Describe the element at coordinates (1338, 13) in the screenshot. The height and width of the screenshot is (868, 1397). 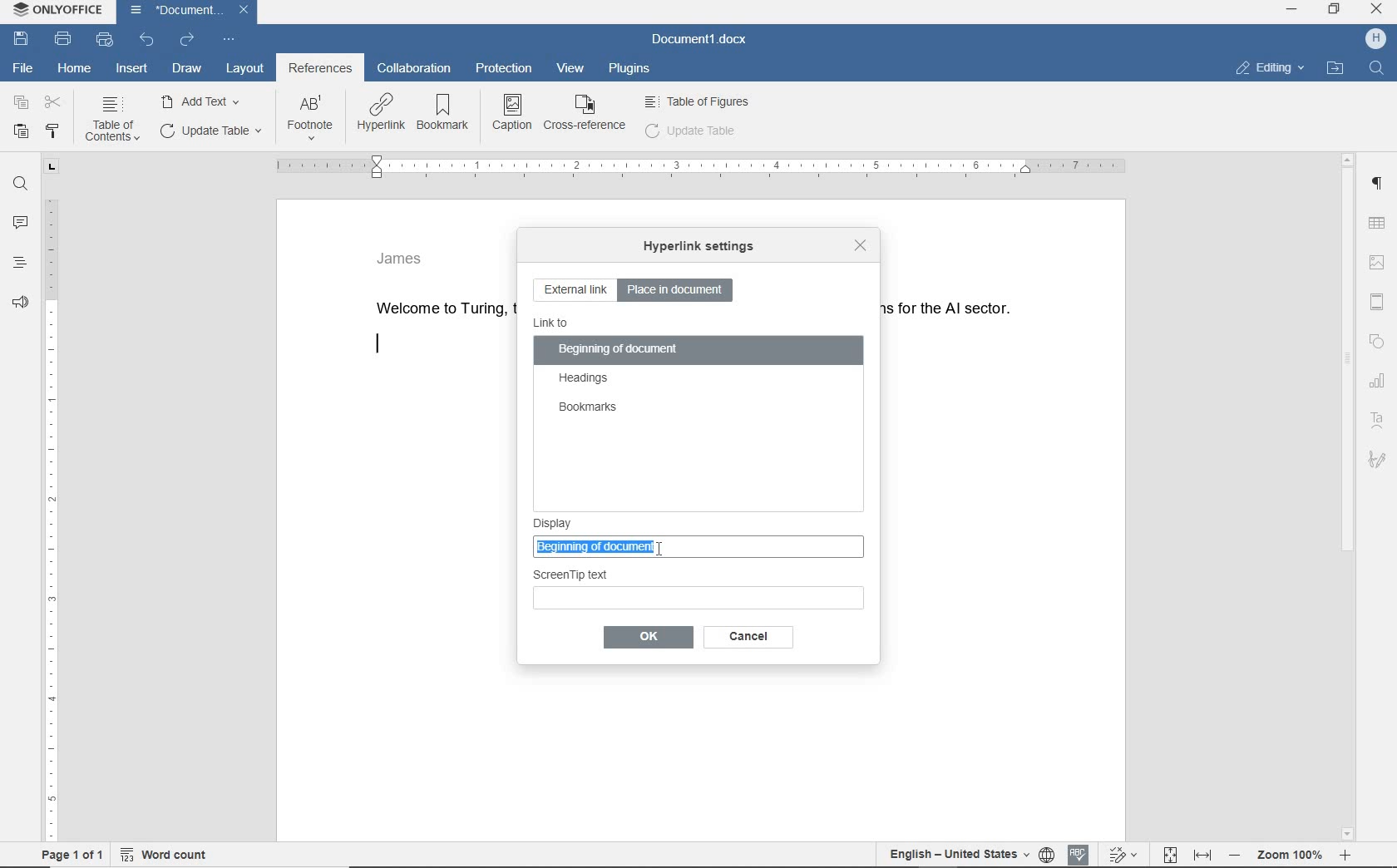
I see `Restore down` at that location.